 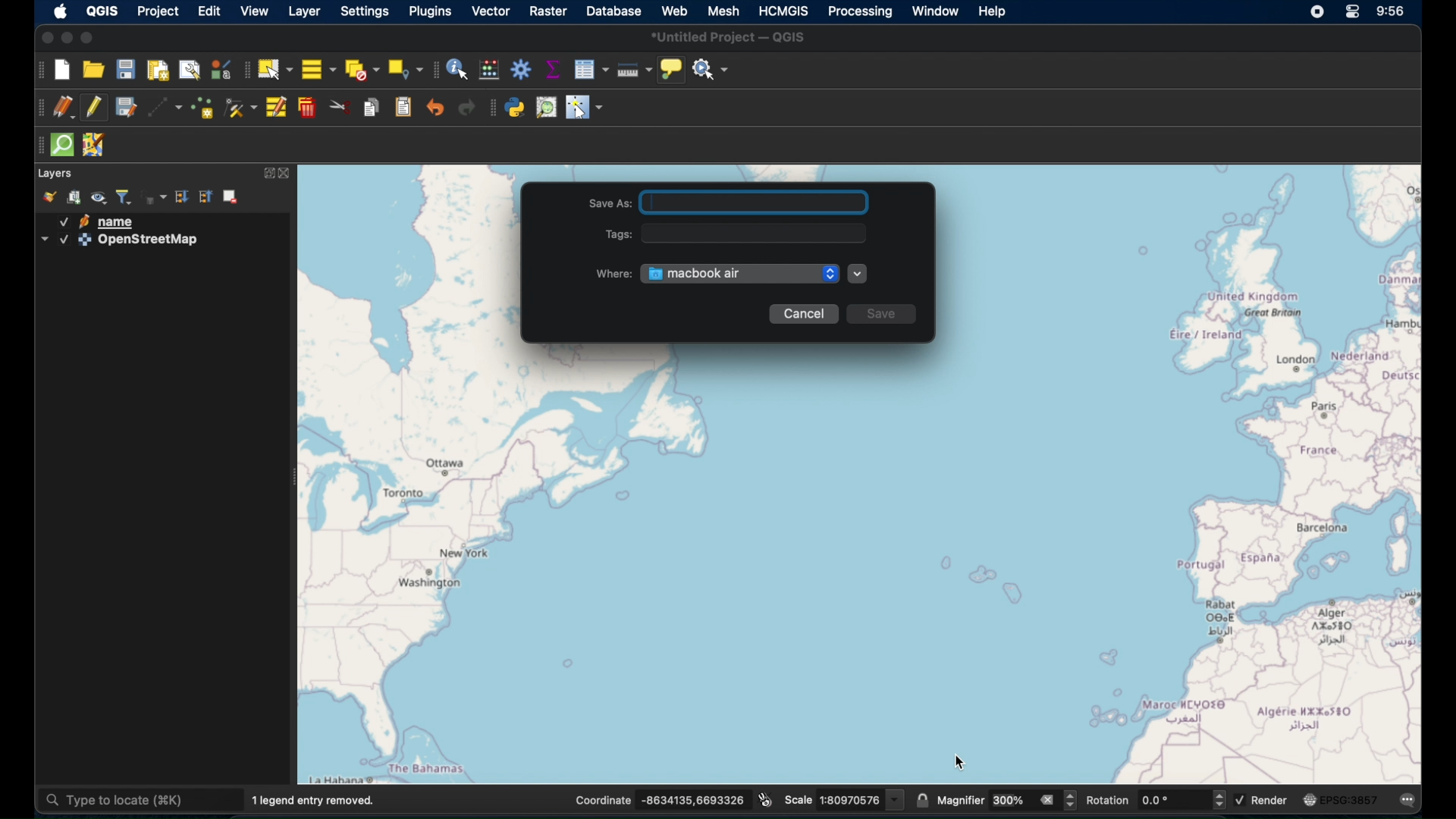 I want to click on maximize, so click(x=90, y=39).